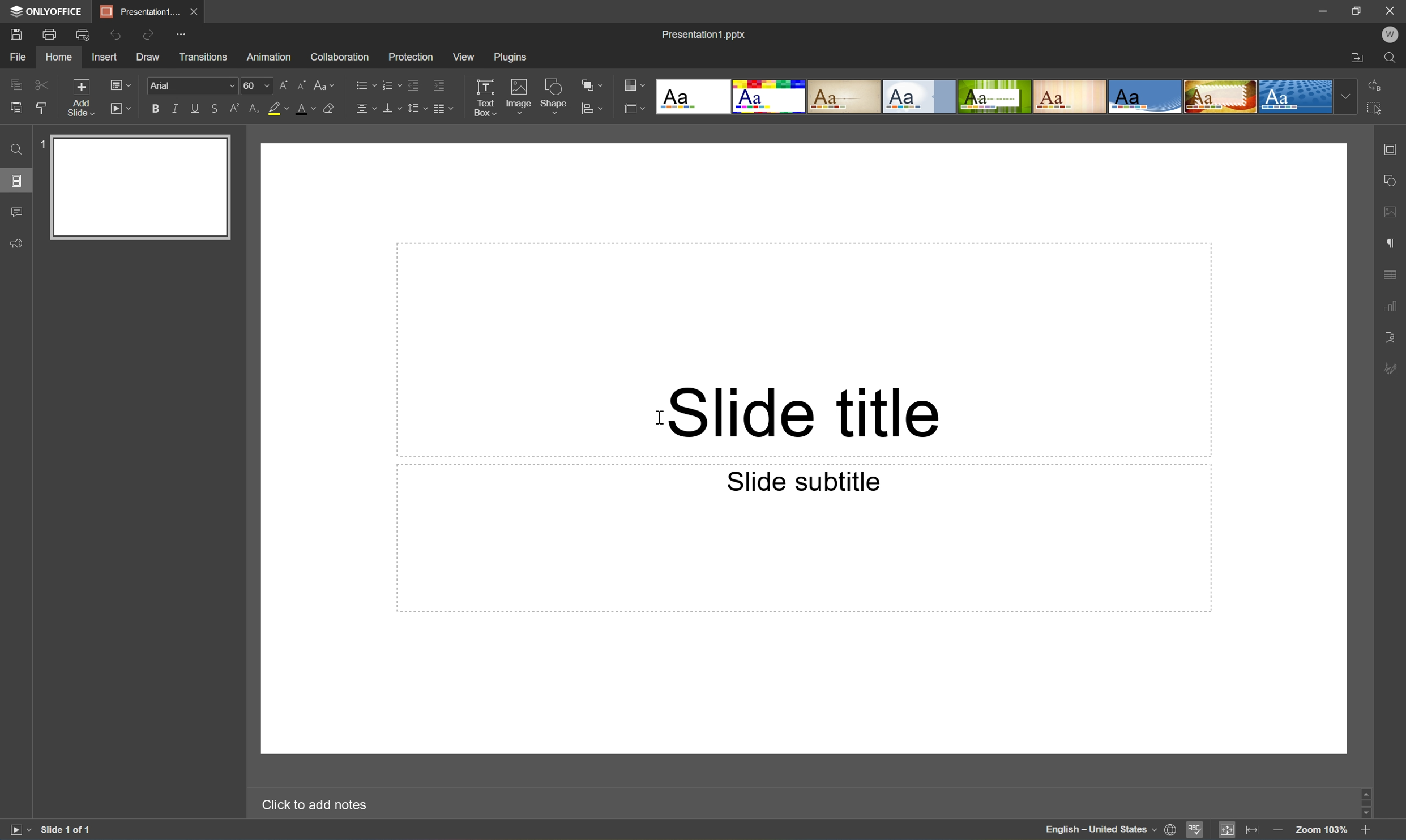 The width and height of the screenshot is (1406, 840). Describe the element at coordinates (79, 826) in the screenshot. I see `Slide 1 of 1` at that location.